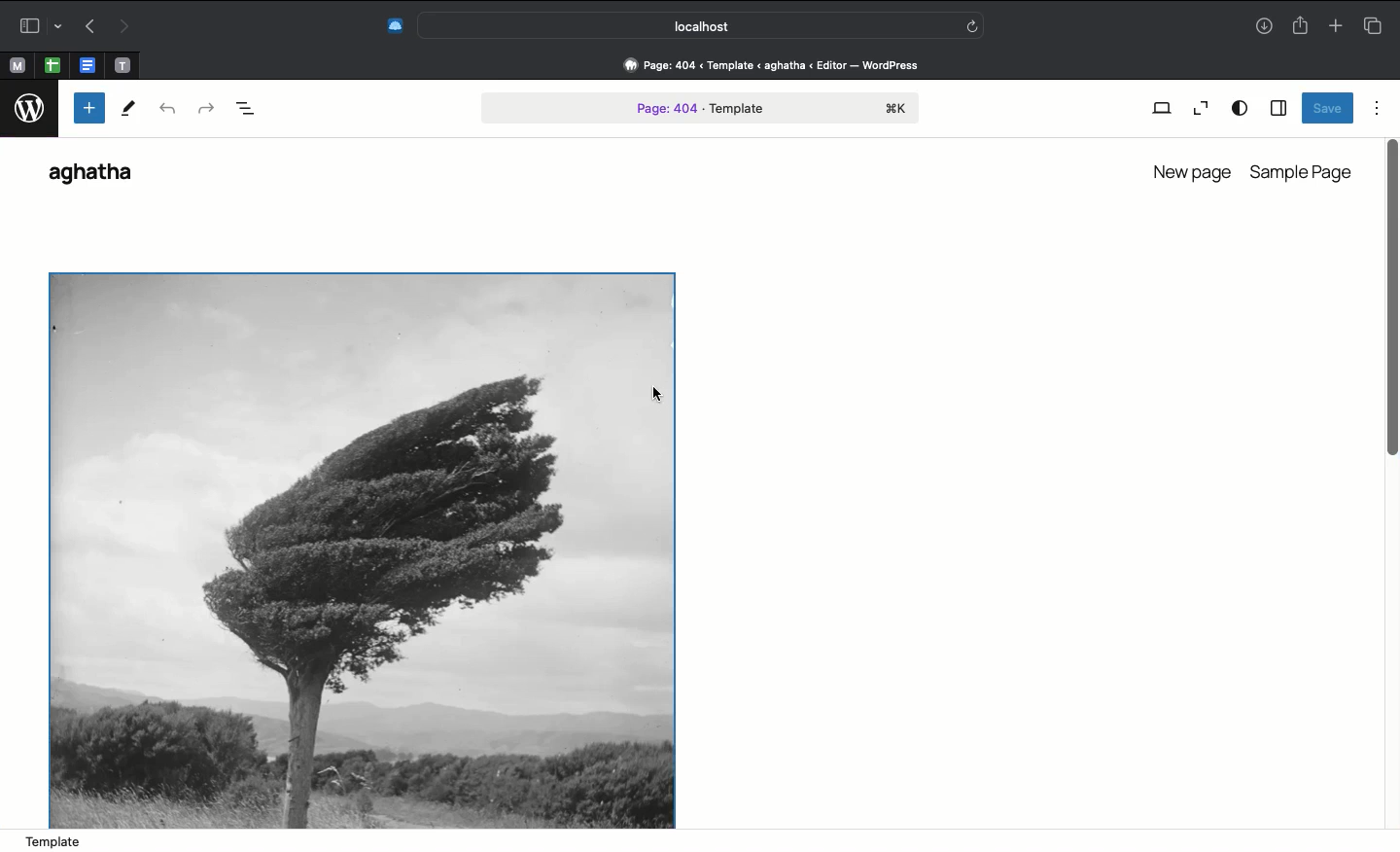  I want to click on View, so click(1161, 110).